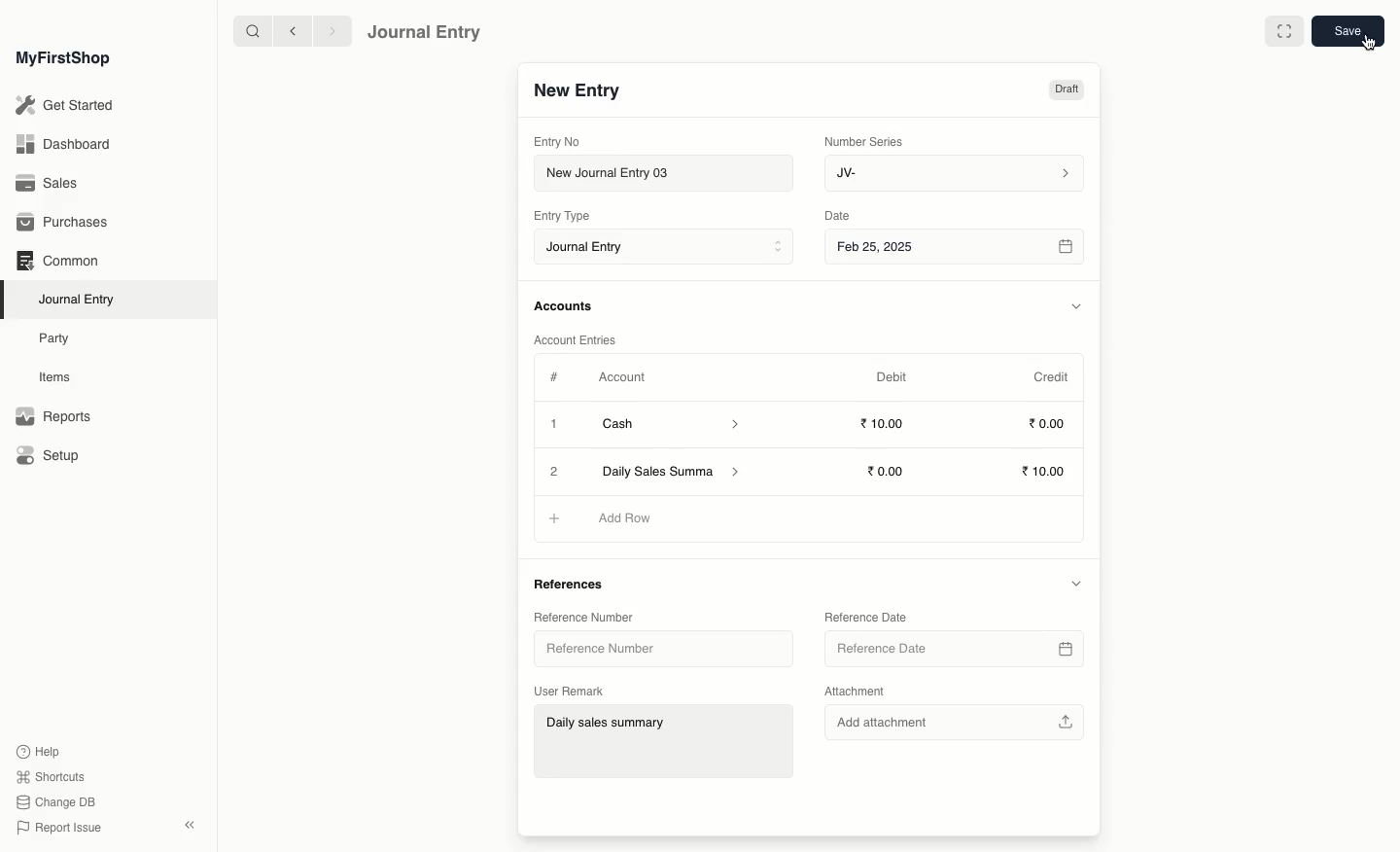 The height and width of the screenshot is (852, 1400). I want to click on INCOME, so click(634, 518).